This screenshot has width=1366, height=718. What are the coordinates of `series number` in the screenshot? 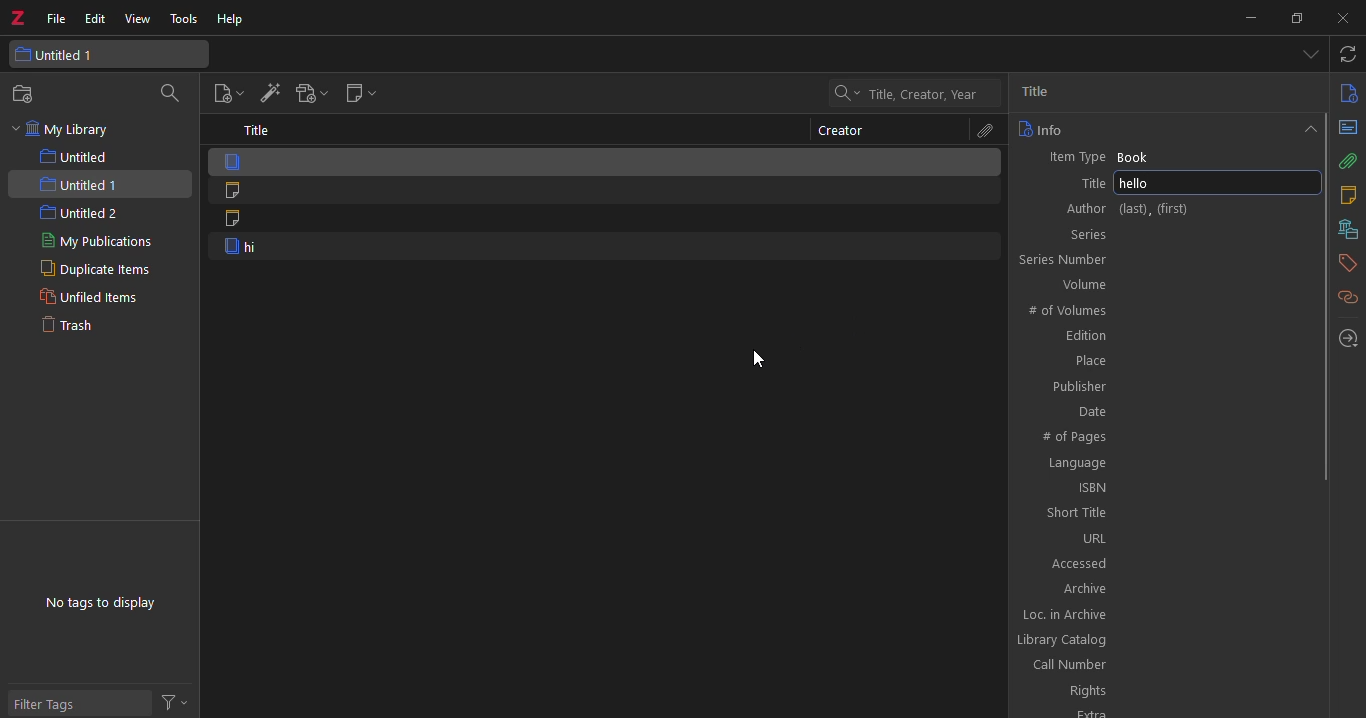 It's located at (1163, 259).